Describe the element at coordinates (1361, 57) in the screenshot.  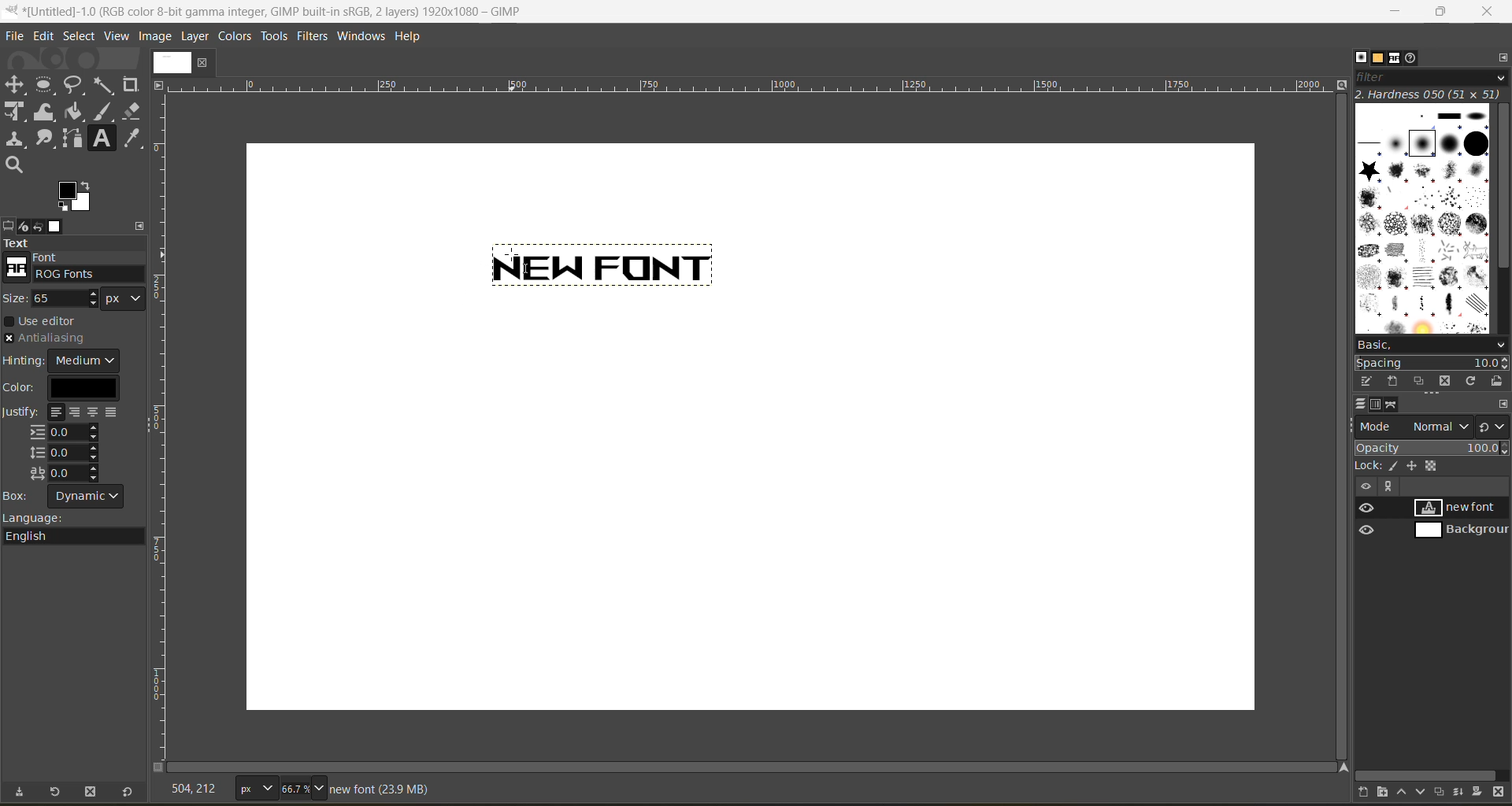
I see `brushes` at that location.